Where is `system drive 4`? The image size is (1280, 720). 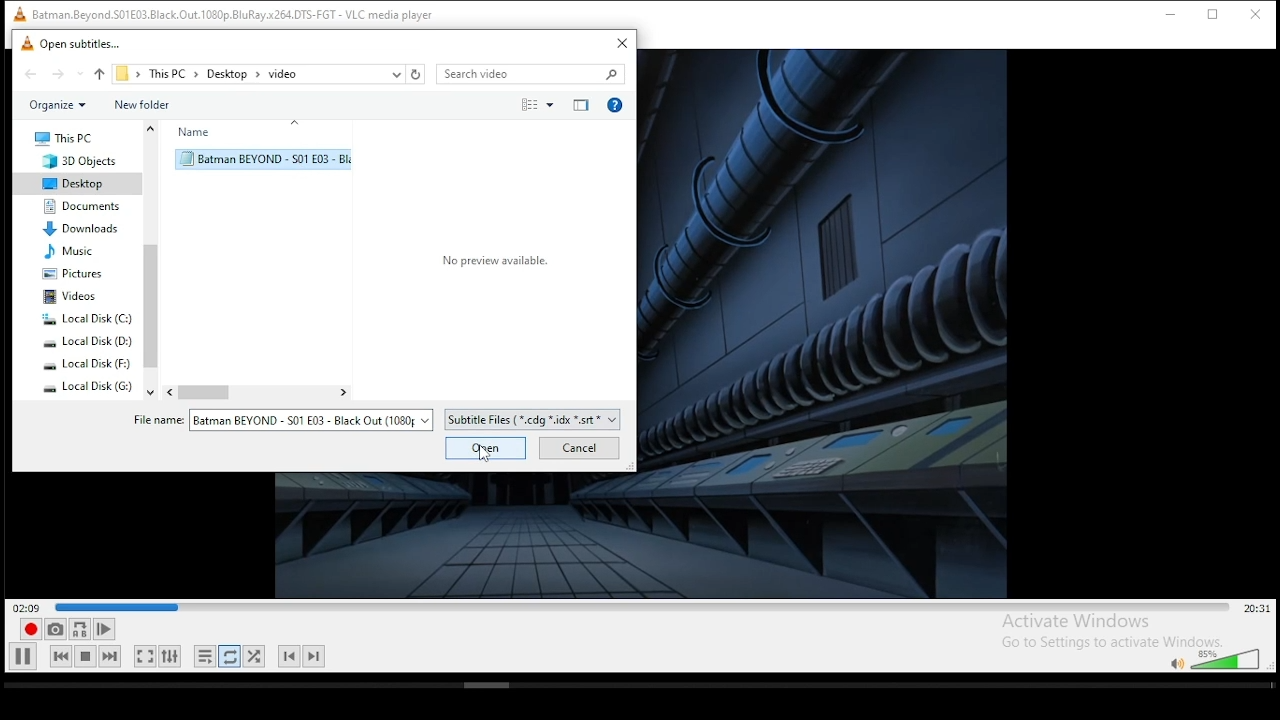
system drive 4 is located at coordinates (85, 387).